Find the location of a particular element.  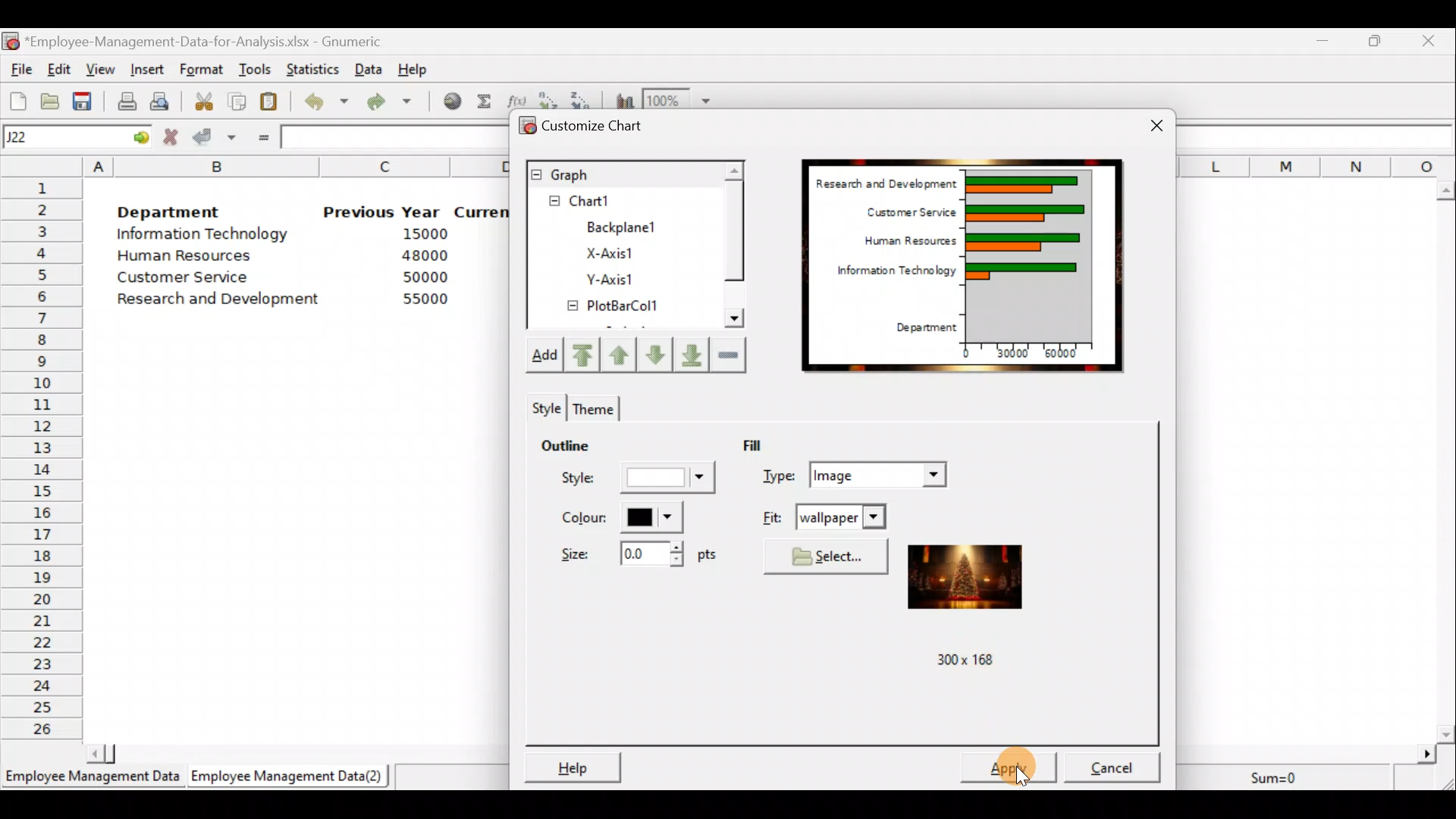

Customize chart is located at coordinates (591, 124).